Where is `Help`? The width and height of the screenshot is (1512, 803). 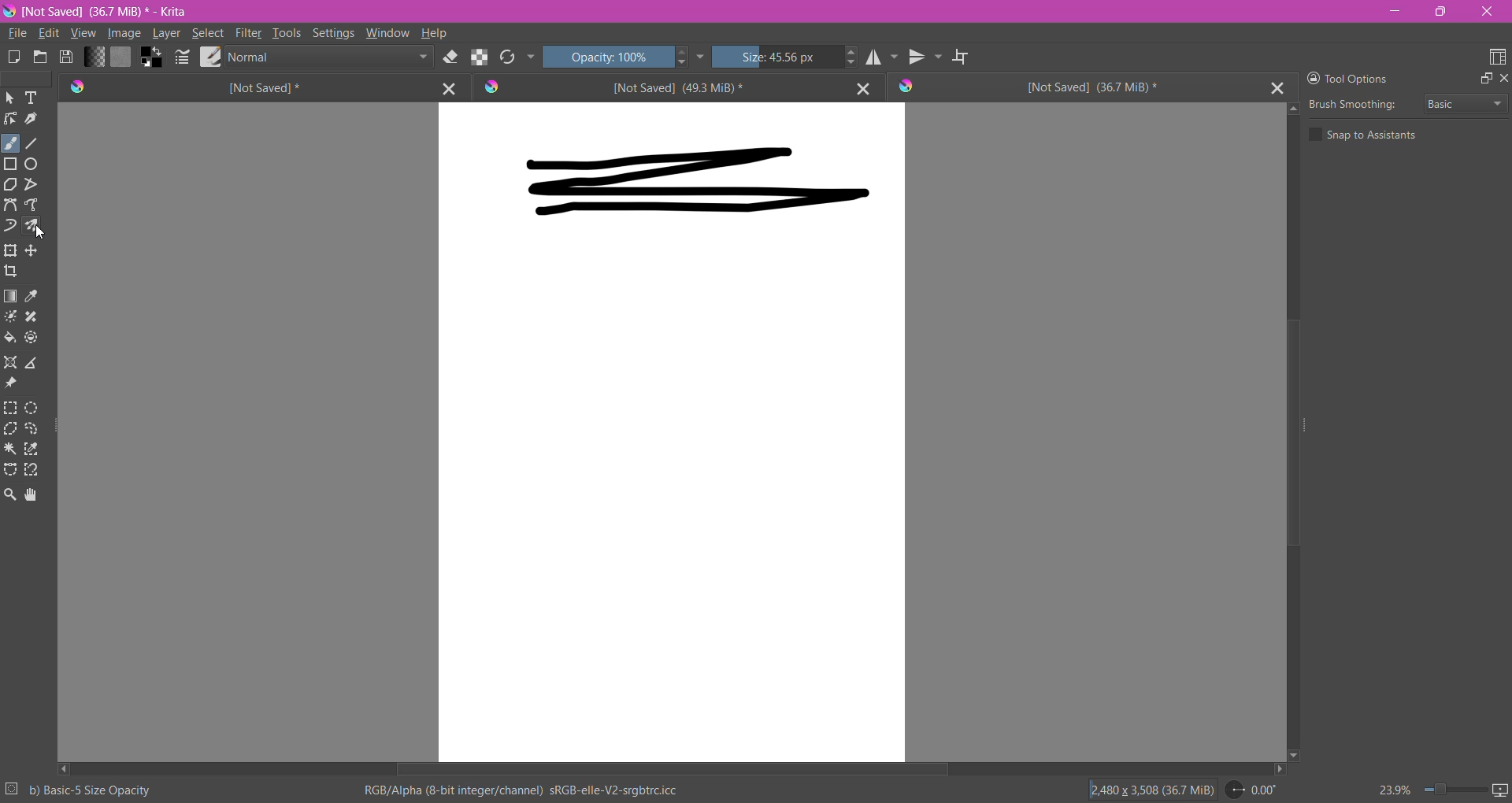 Help is located at coordinates (435, 33).